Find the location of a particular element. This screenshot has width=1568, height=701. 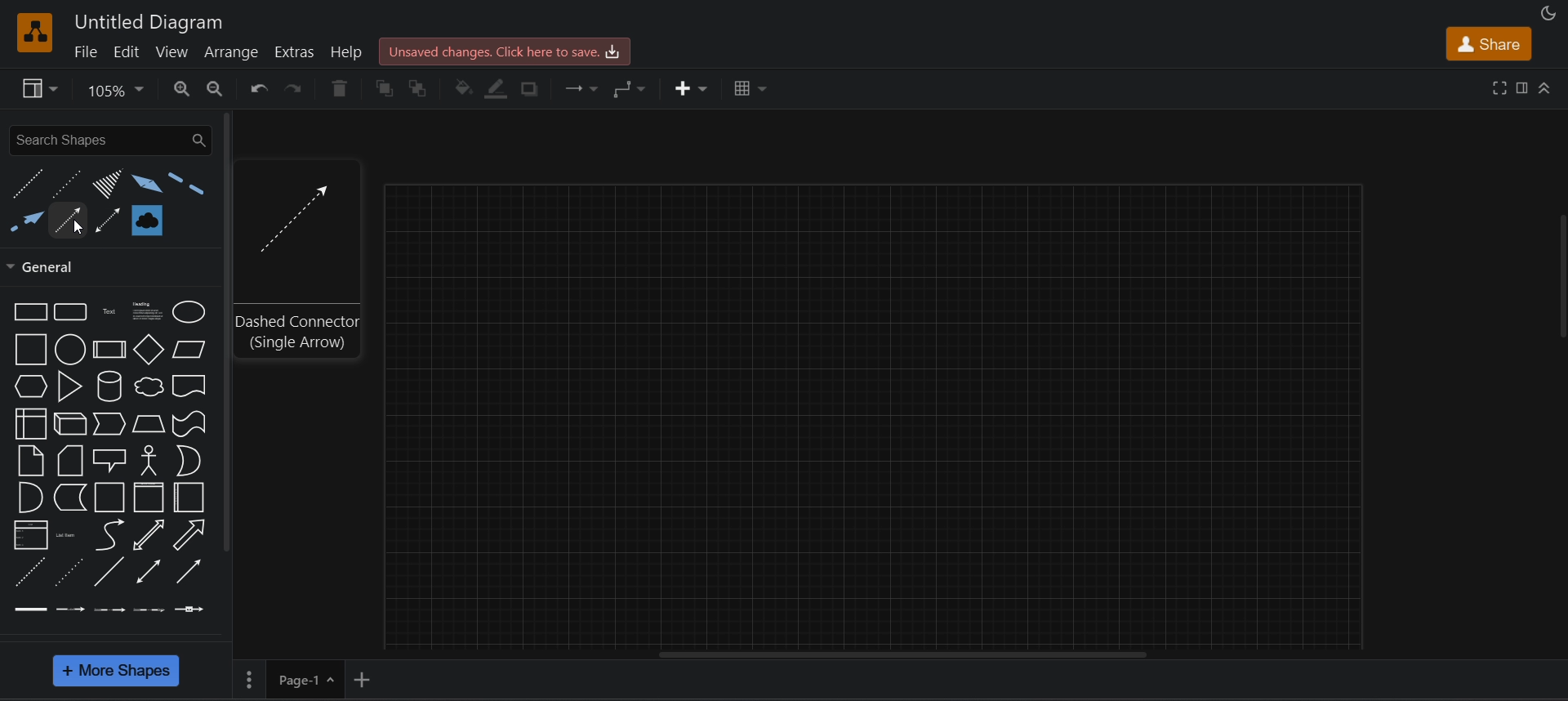

list is located at coordinates (26, 535).